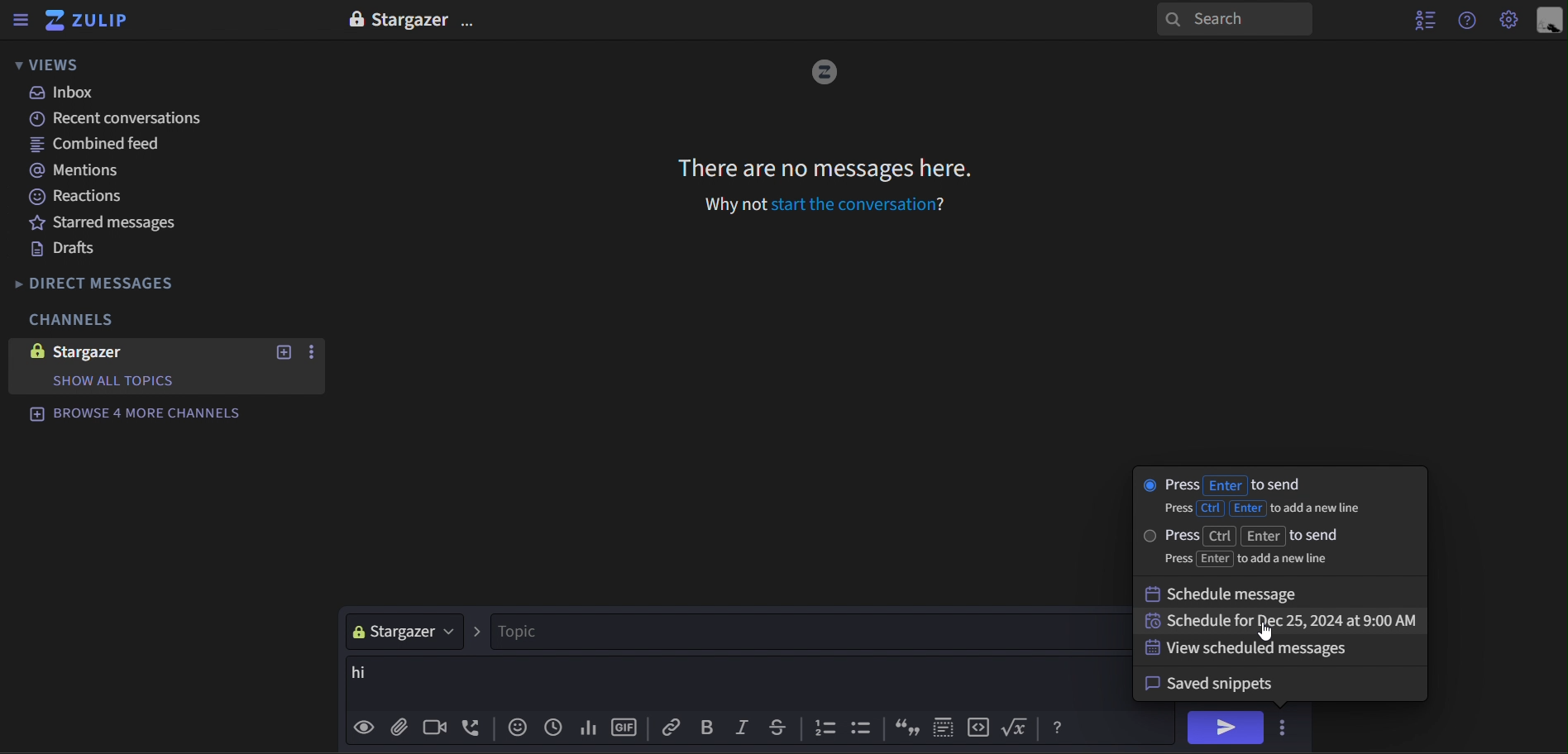 This screenshot has width=1568, height=754. What do you see at coordinates (1236, 20) in the screenshot?
I see `search panel` at bounding box center [1236, 20].